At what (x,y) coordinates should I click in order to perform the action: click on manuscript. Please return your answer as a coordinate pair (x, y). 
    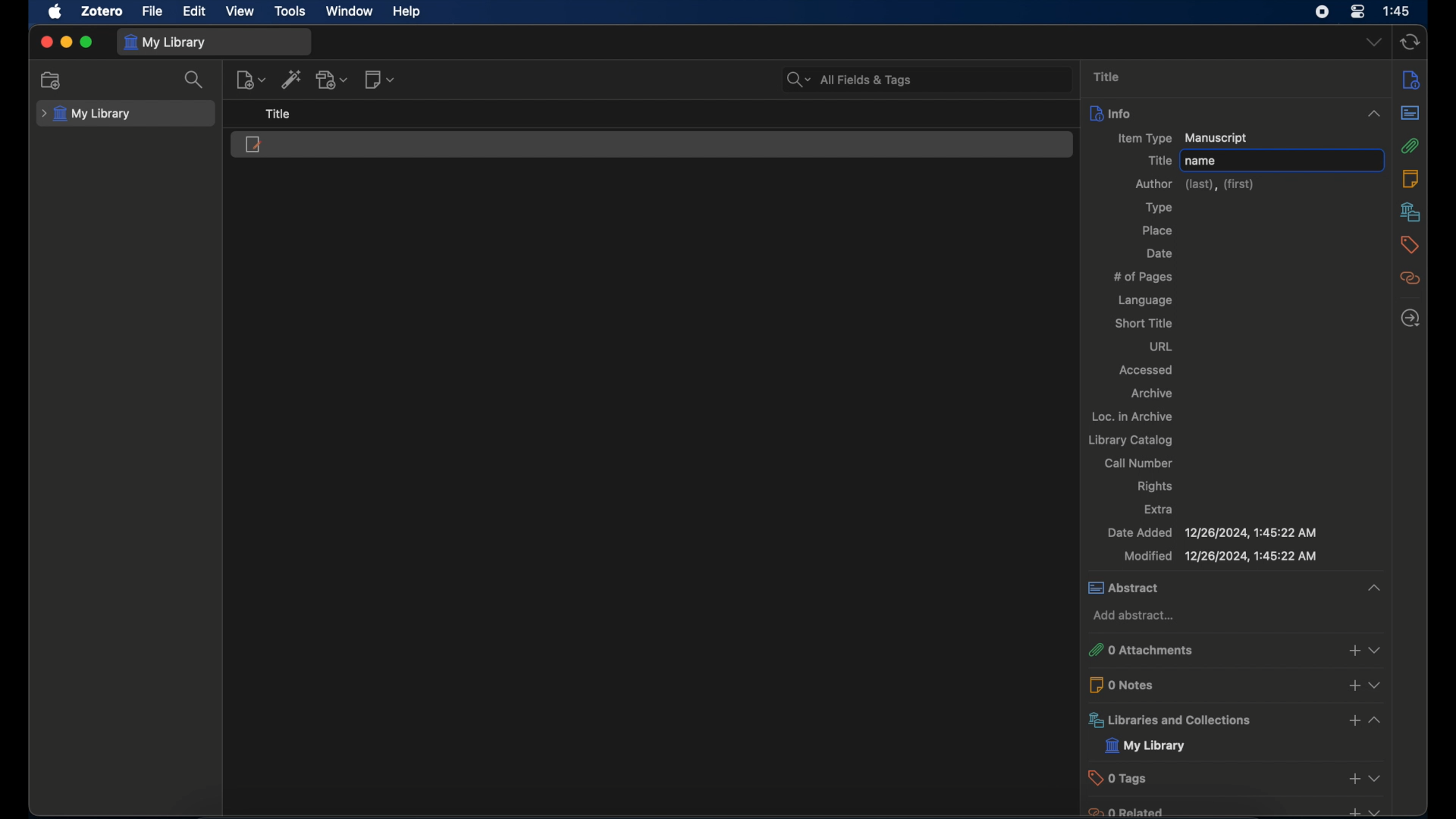
    Looking at the image, I should click on (253, 144).